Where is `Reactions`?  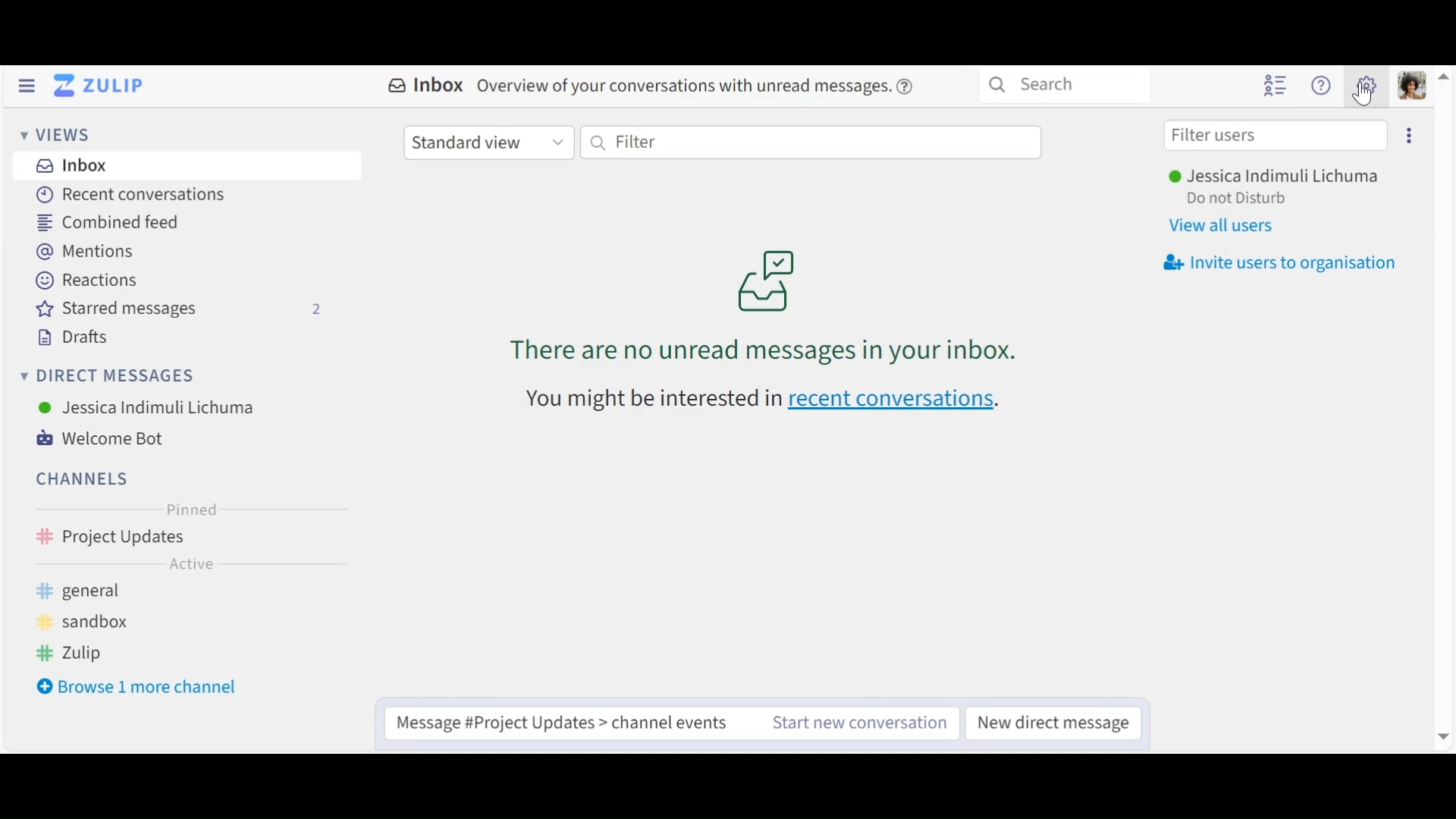
Reactions is located at coordinates (86, 281).